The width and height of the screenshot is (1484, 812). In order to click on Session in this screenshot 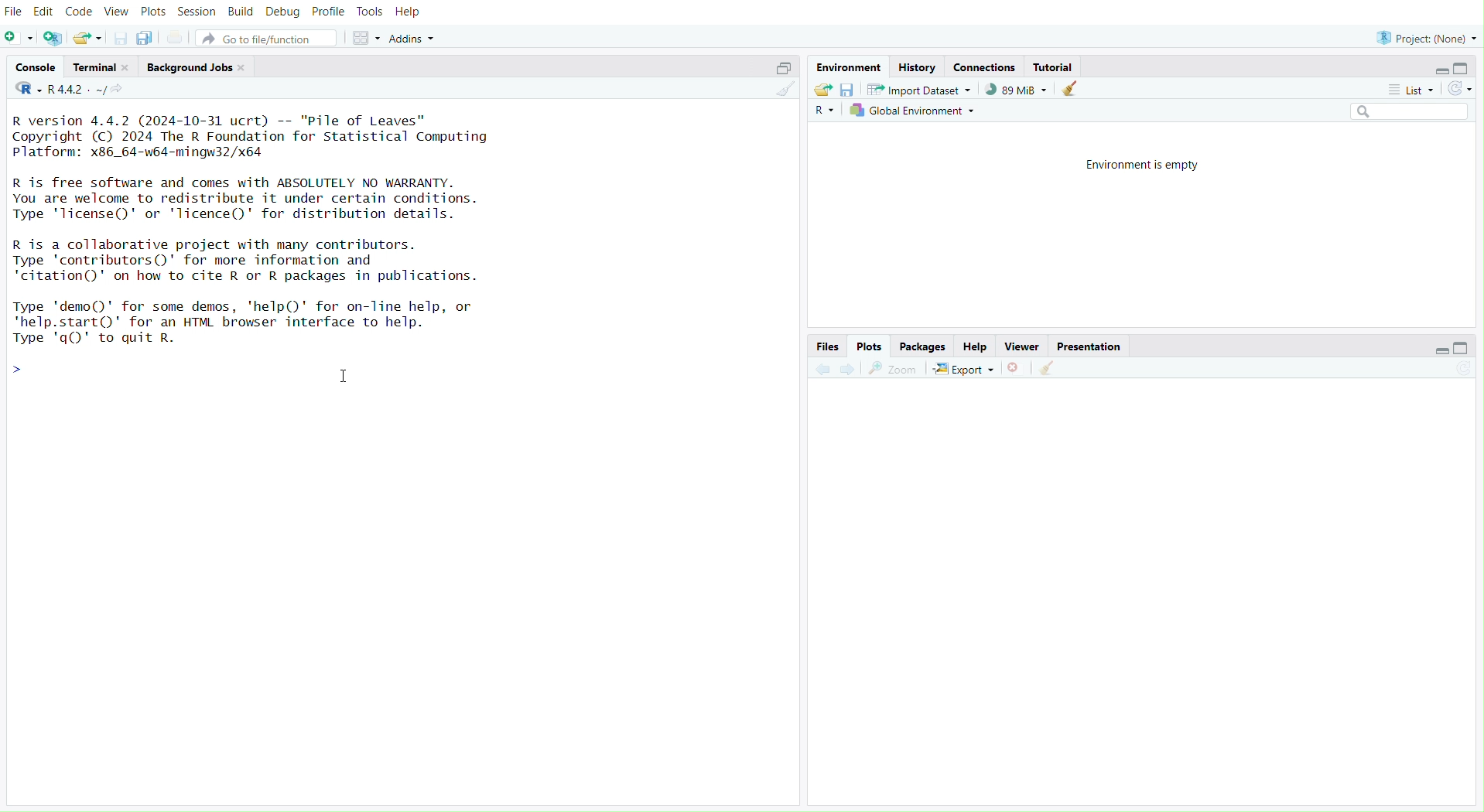, I will do `click(195, 12)`.